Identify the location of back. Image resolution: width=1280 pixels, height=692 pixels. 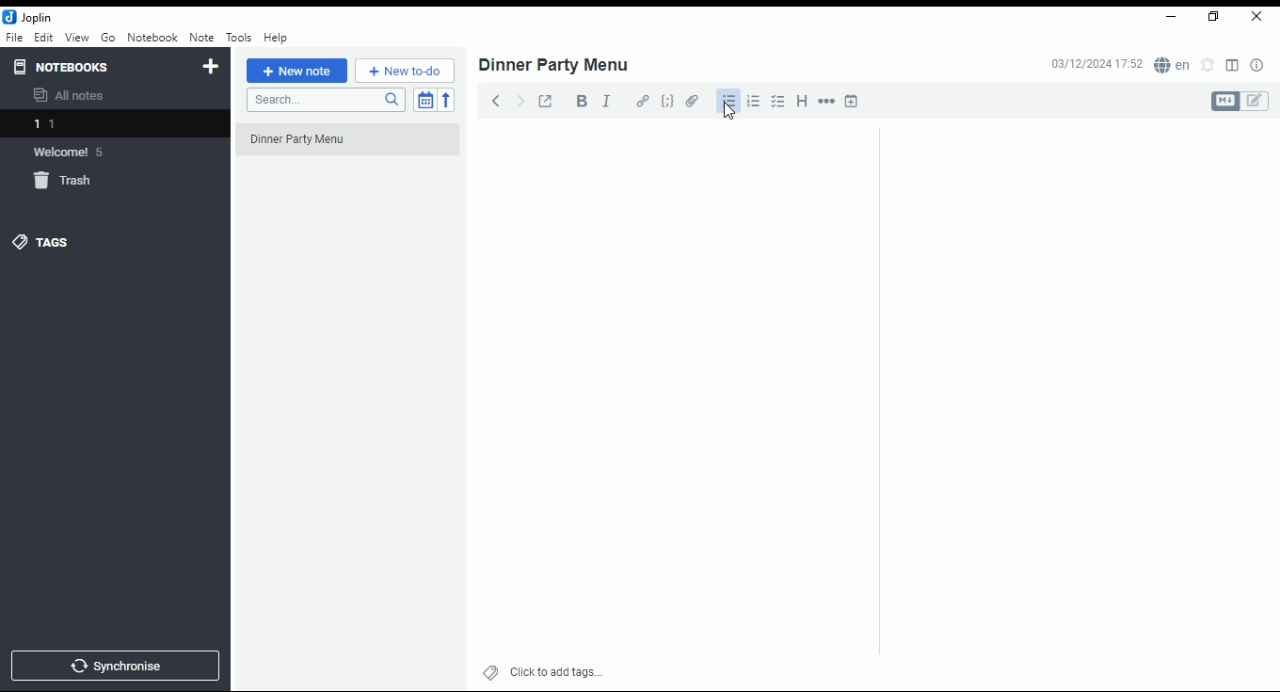
(492, 99).